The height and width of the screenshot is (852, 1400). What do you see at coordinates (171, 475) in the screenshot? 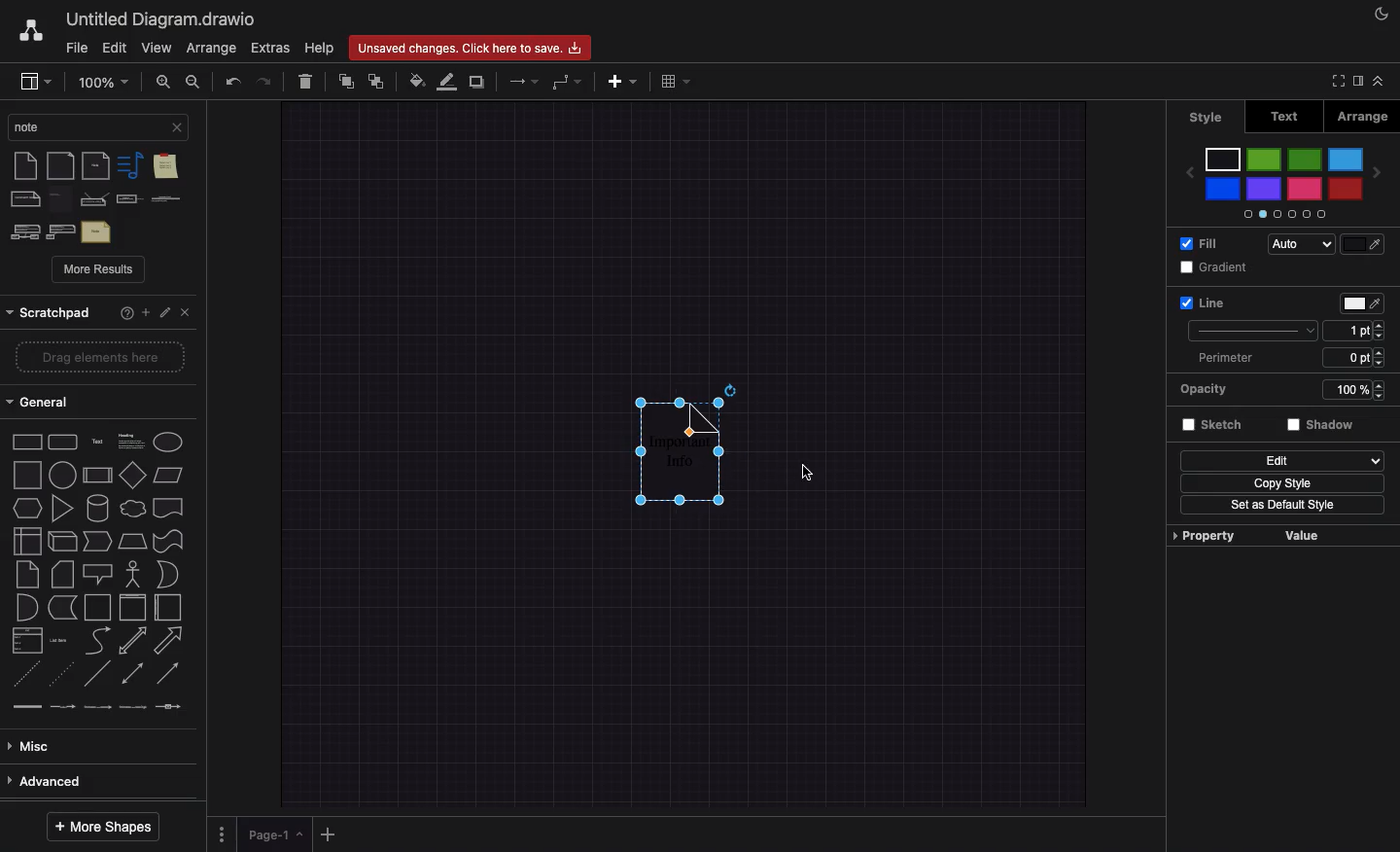
I see `paralellogram` at bounding box center [171, 475].